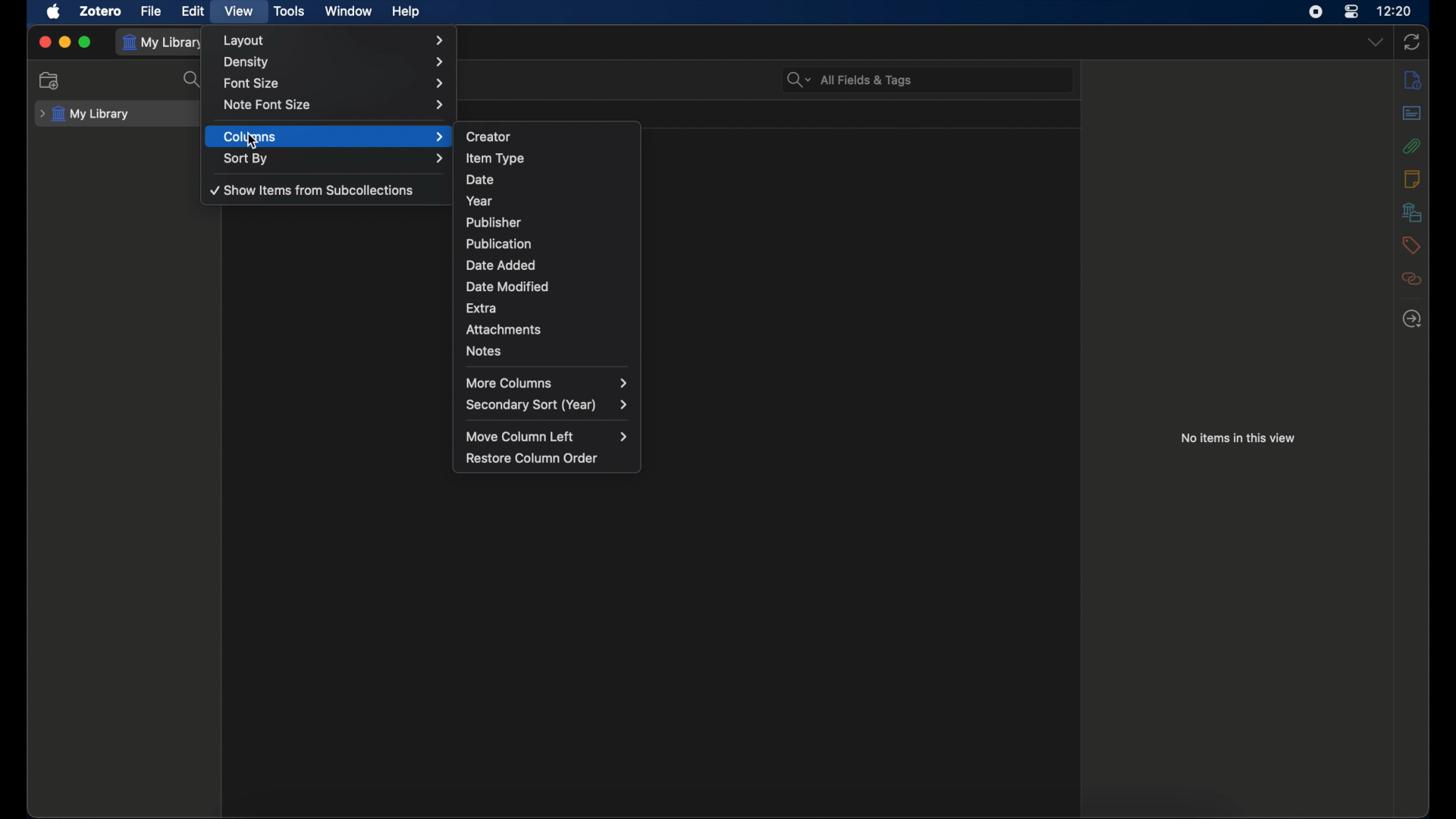 The width and height of the screenshot is (1456, 819). What do you see at coordinates (251, 140) in the screenshot?
I see `cursor` at bounding box center [251, 140].